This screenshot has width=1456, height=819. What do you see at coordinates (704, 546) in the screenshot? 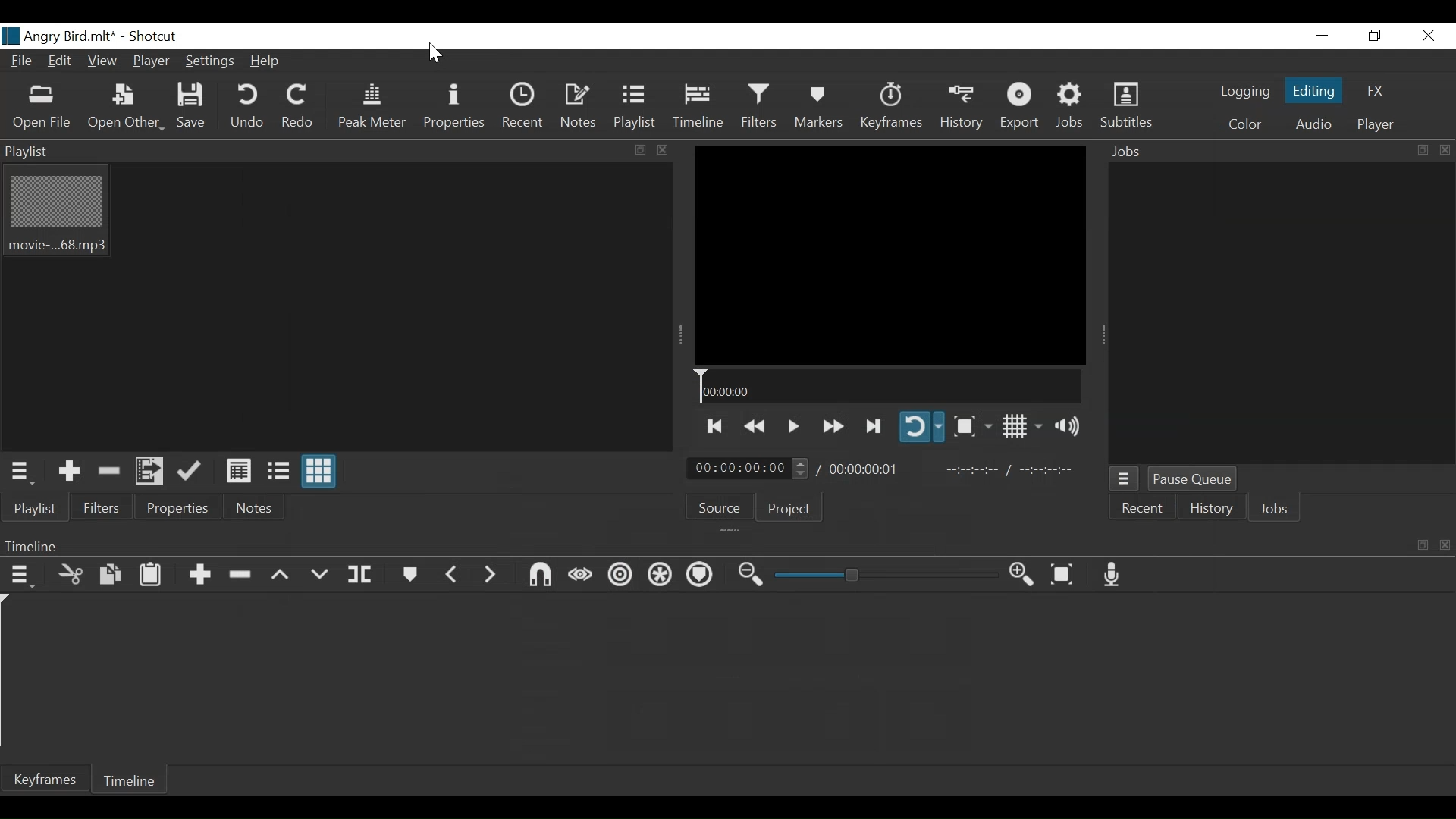
I see `Timeline menu` at bounding box center [704, 546].